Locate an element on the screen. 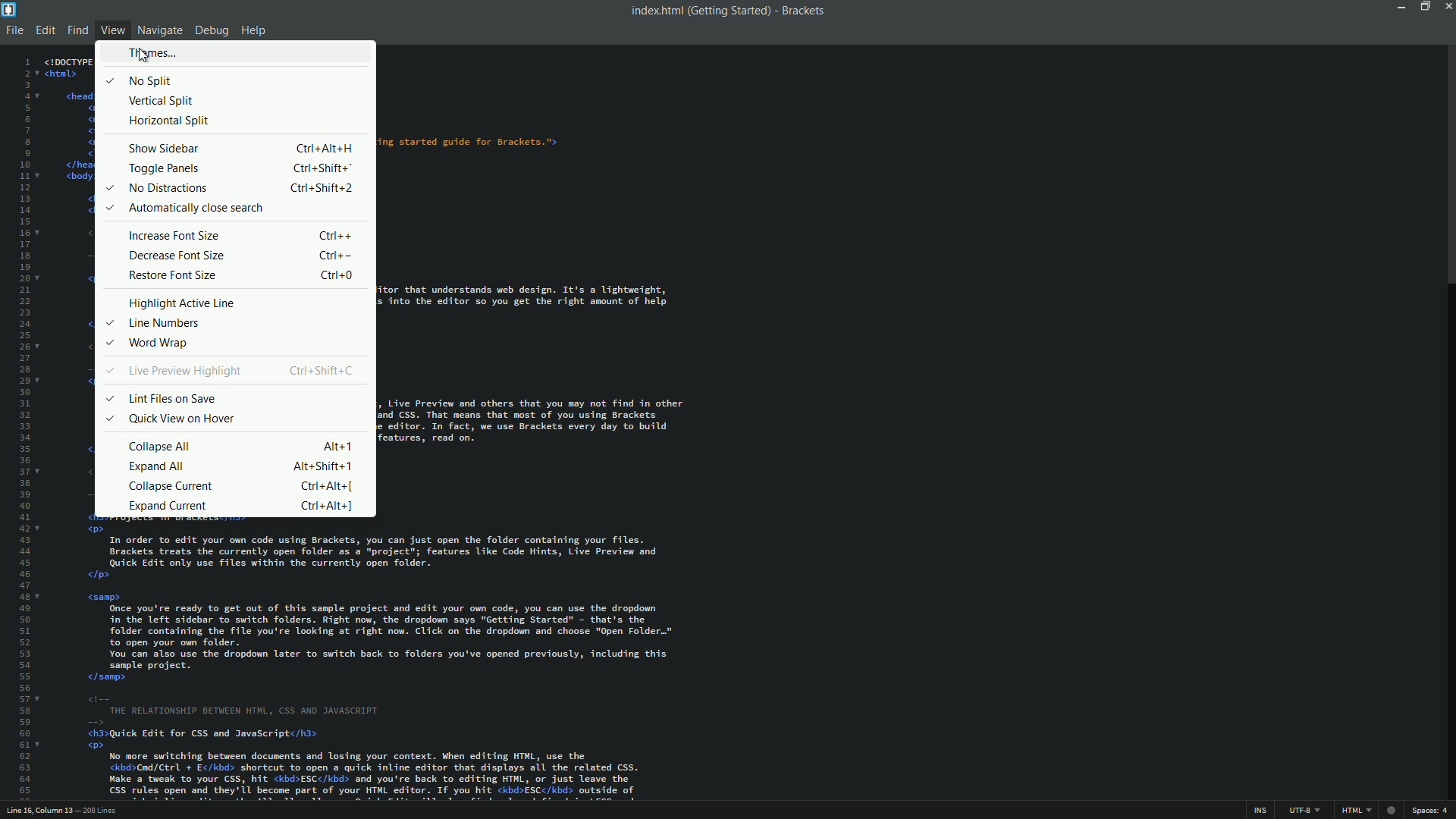 The image size is (1456, 819). keyboard shortcut is located at coordinates (321, 369).